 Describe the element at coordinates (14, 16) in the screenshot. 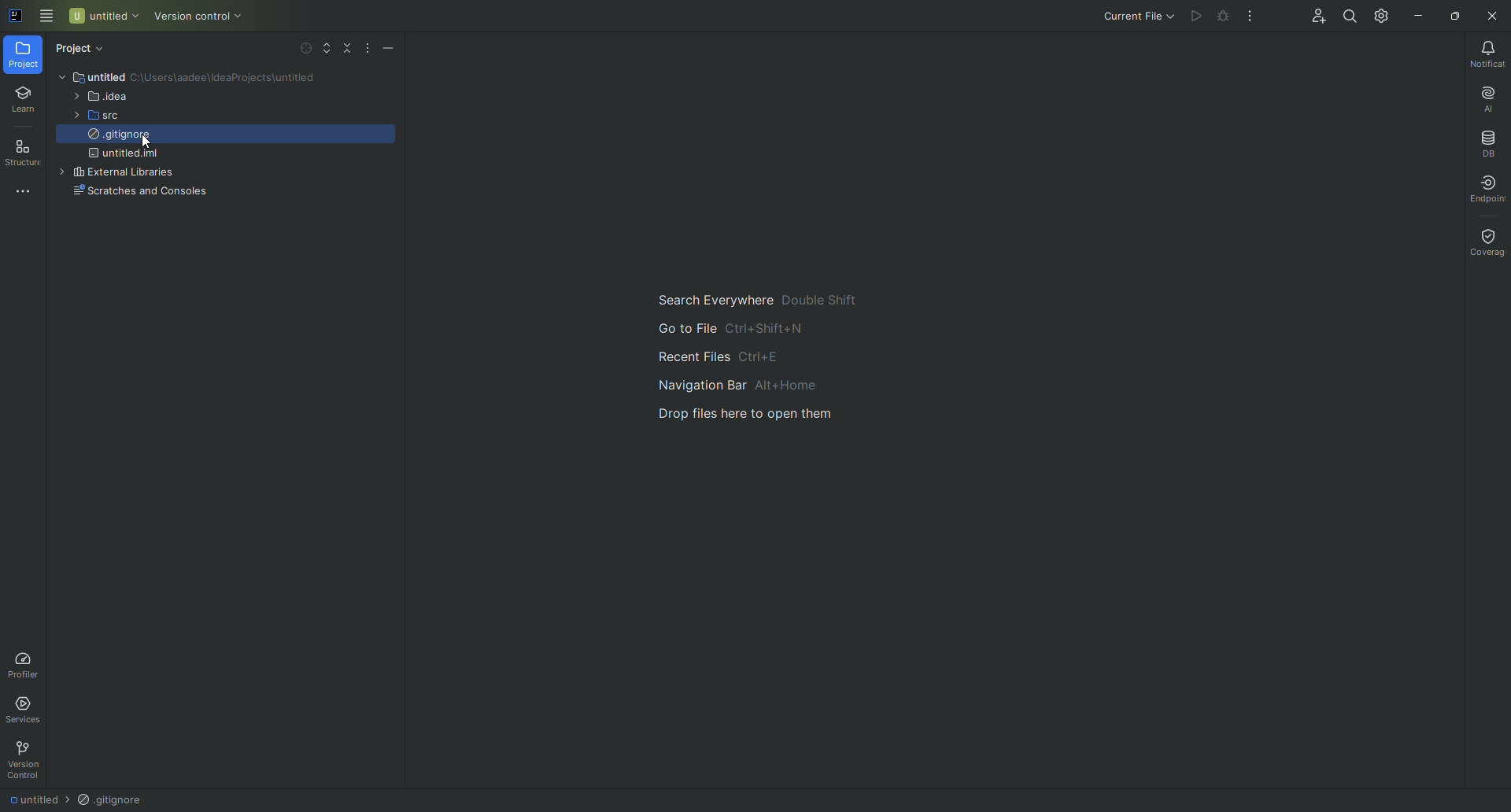

I see `Application logo` at that location.